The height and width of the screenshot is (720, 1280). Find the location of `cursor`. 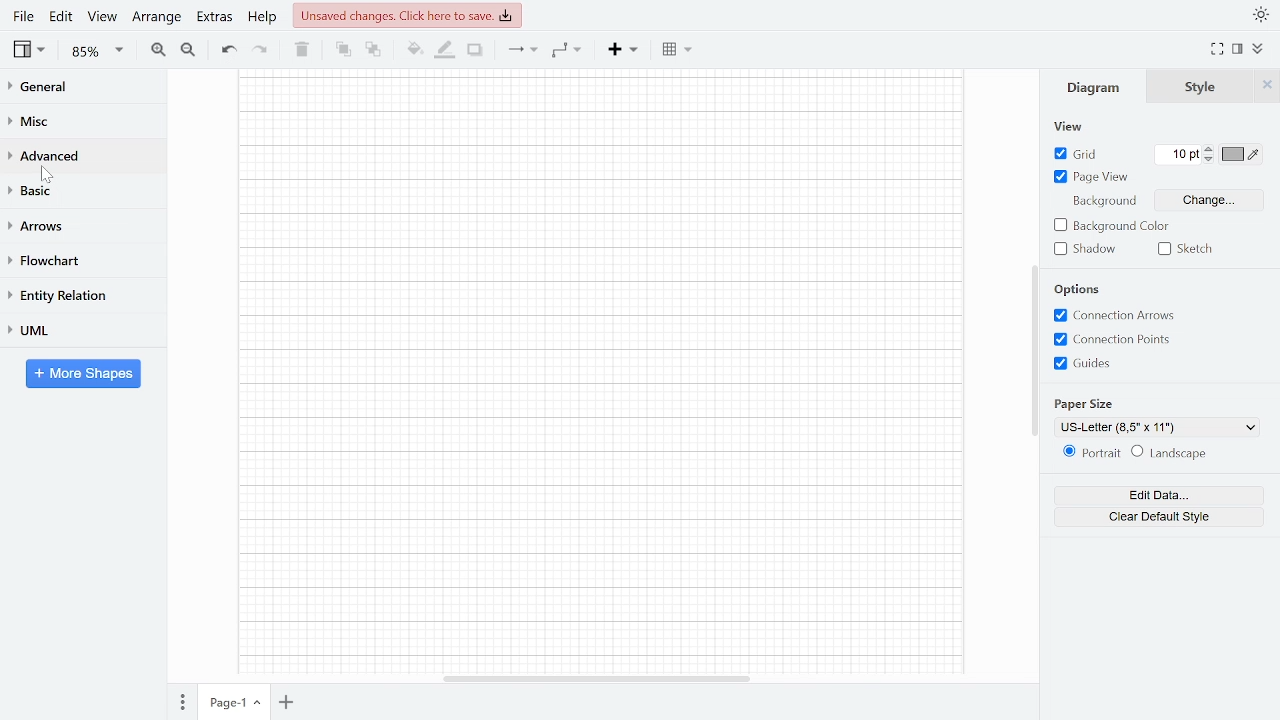

cursor is located at coordinates (46, 174).